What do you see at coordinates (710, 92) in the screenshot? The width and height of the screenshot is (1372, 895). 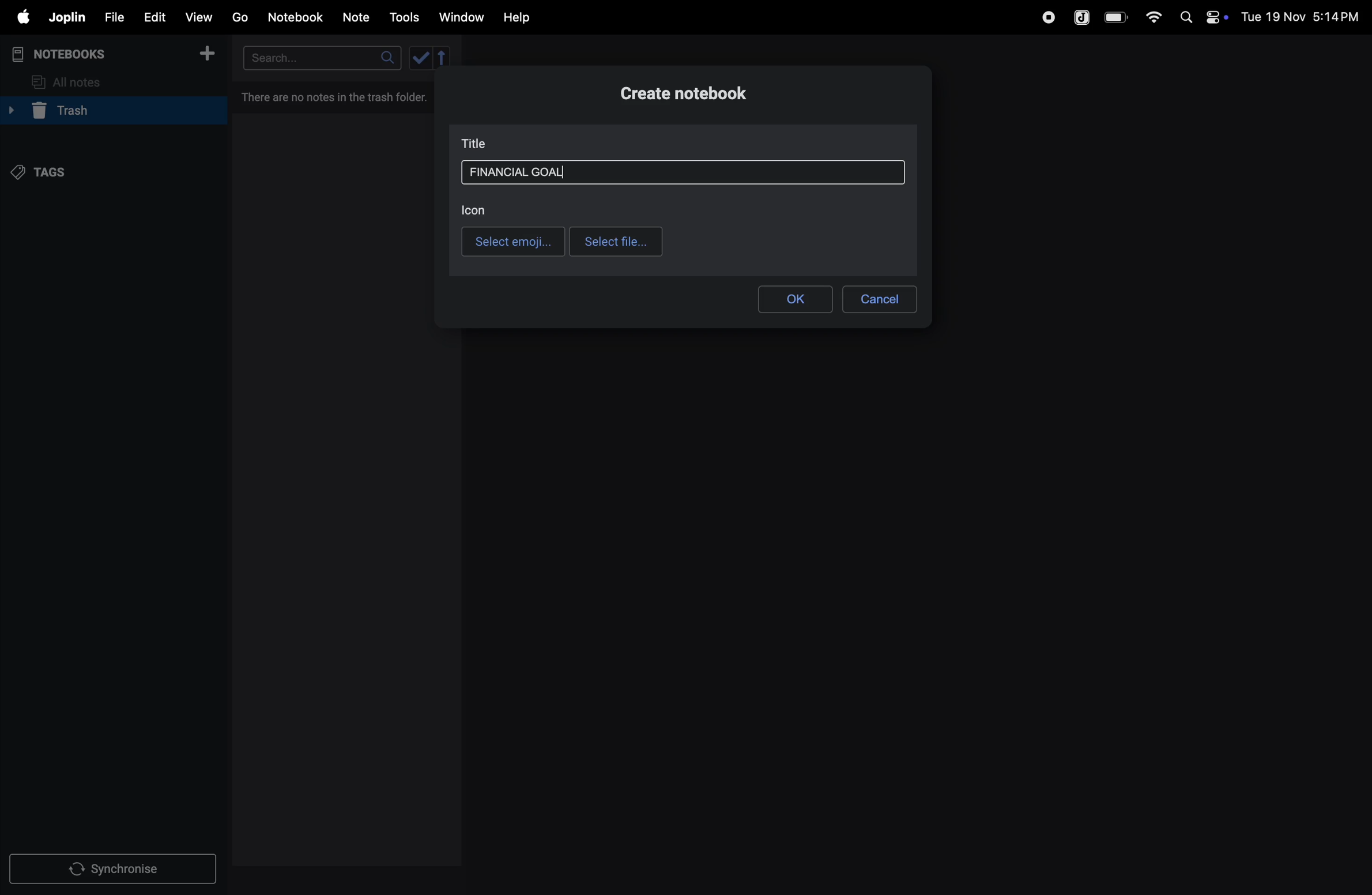 I see `create notebook` at bounding box center [710, 92].